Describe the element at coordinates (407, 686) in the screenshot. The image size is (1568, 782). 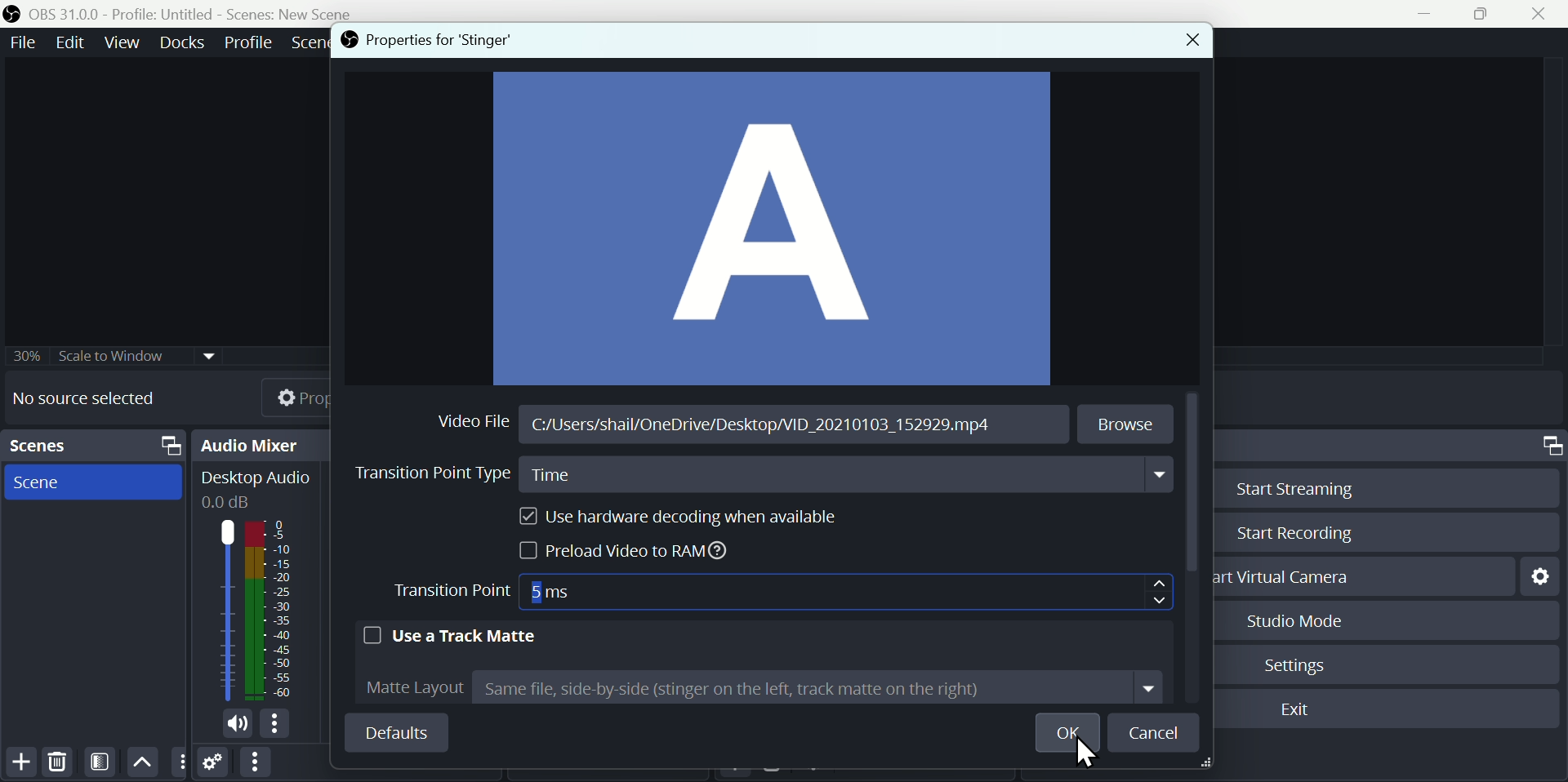
I see `Matte layout` at that location.